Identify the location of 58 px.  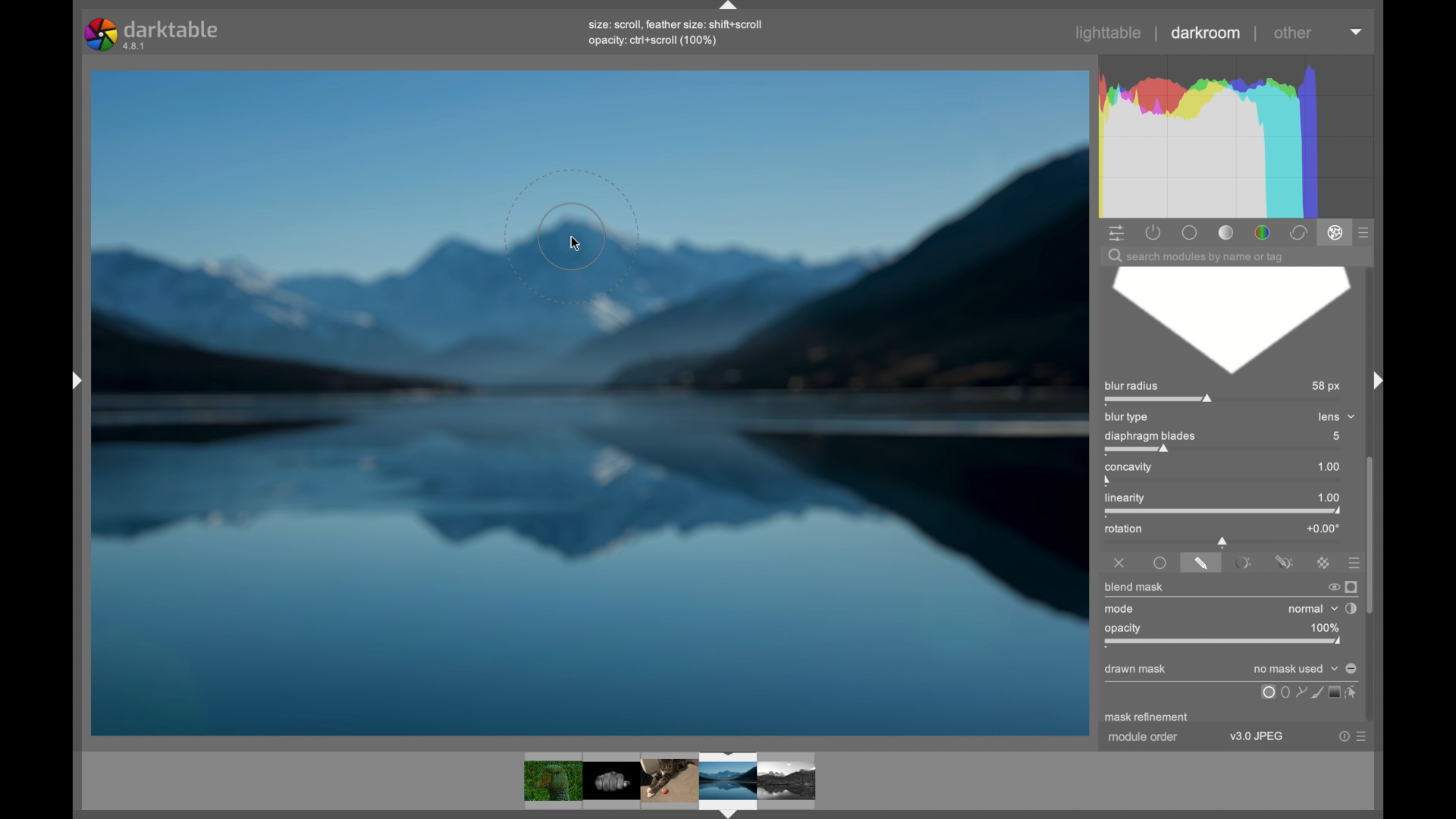
(1324, 386).